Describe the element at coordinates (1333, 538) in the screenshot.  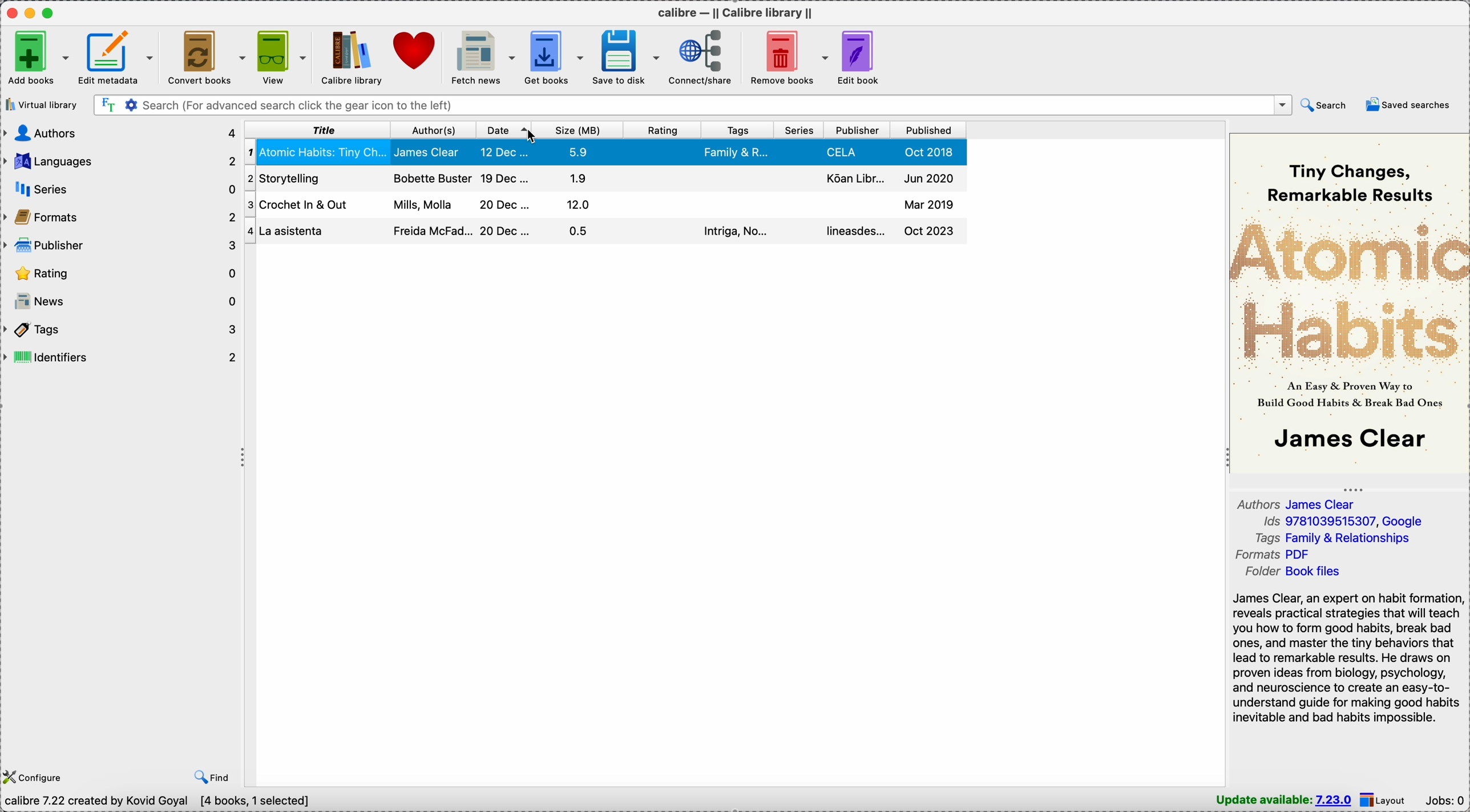
I see `tags Family & Relationships` at that location.